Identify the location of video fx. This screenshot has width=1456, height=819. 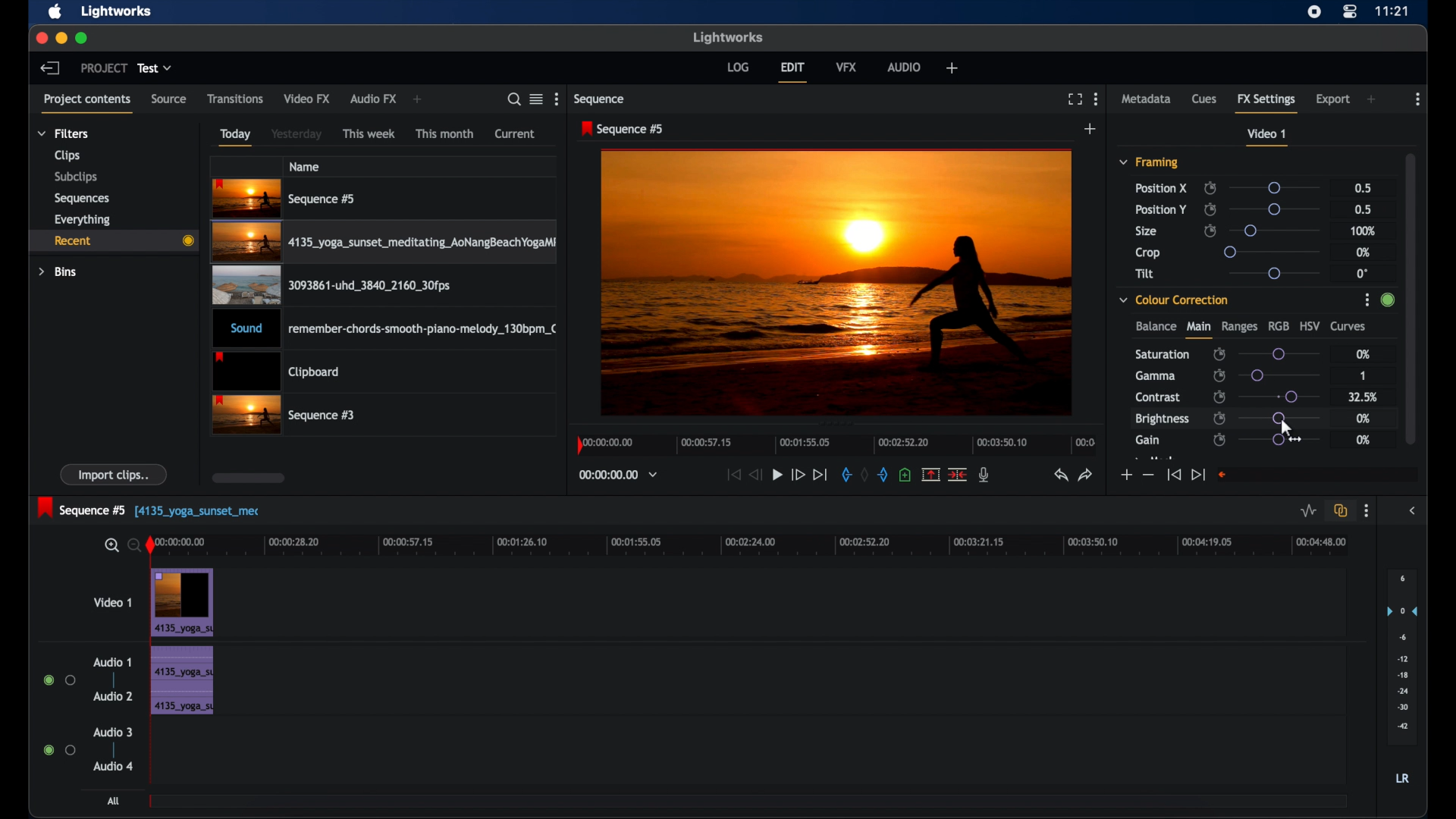
(306, 99).